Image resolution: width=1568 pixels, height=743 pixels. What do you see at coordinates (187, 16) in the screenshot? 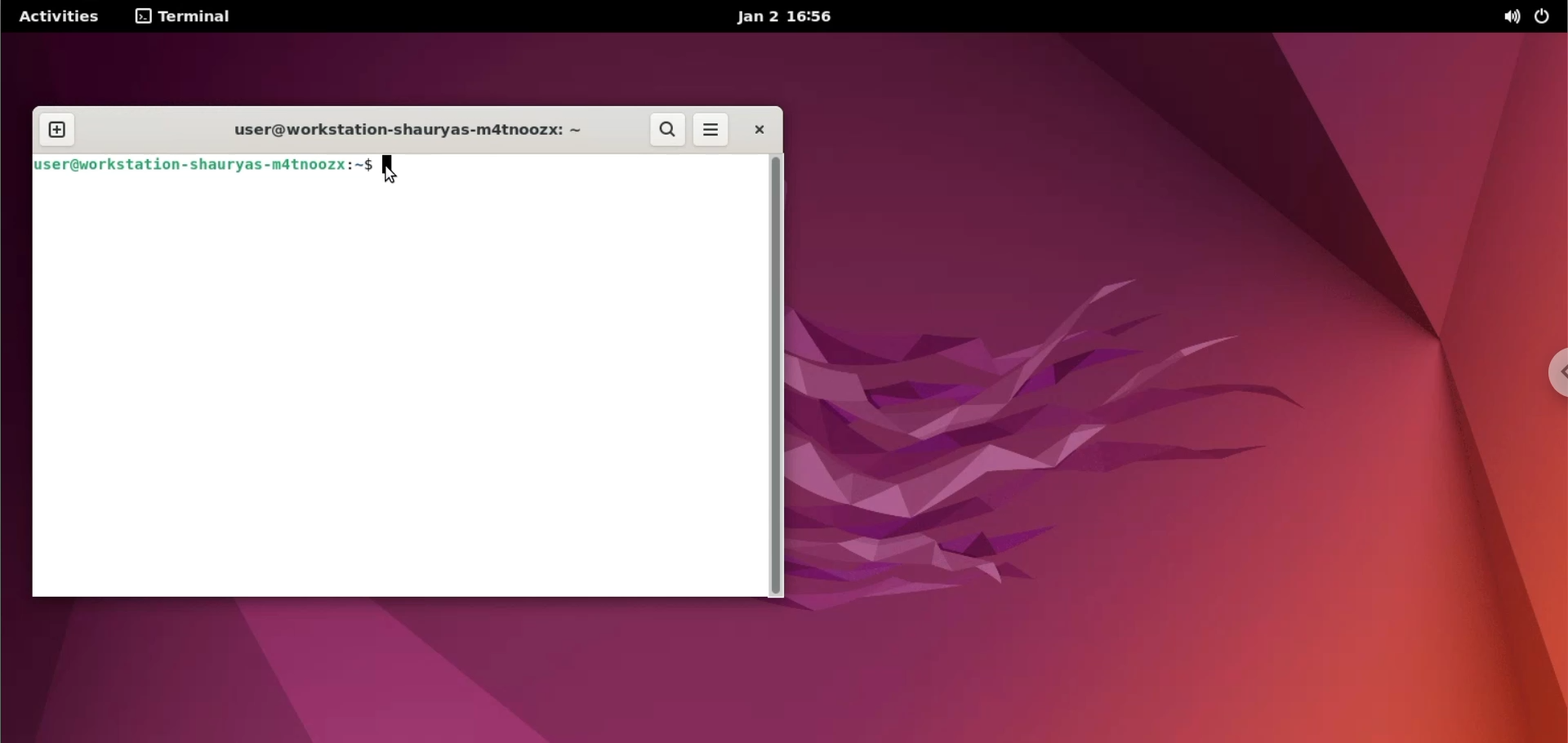
I see `Terminal ` at bounding box center [187, 16].